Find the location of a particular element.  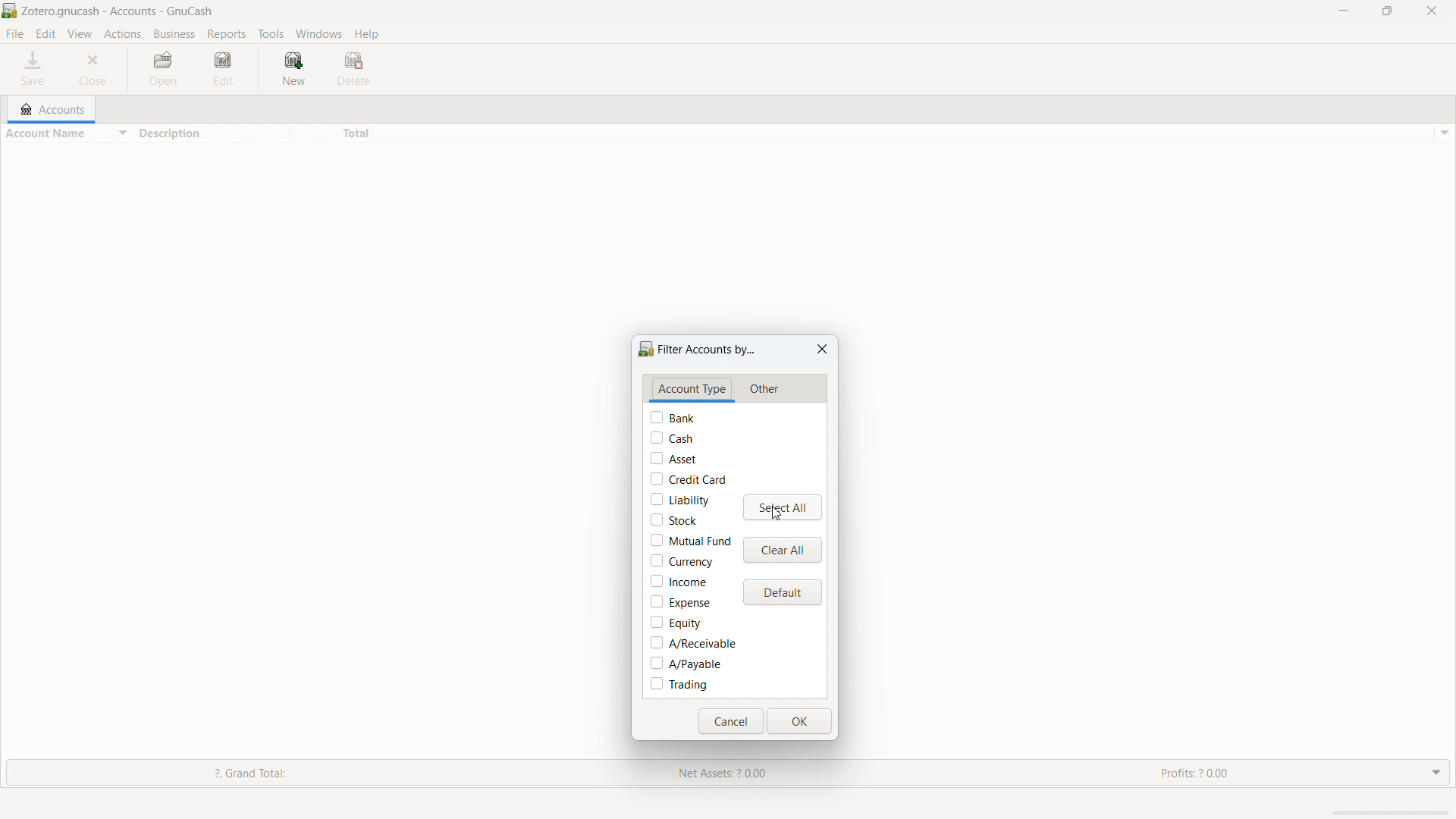

stock is located at coordinates (674, 519).